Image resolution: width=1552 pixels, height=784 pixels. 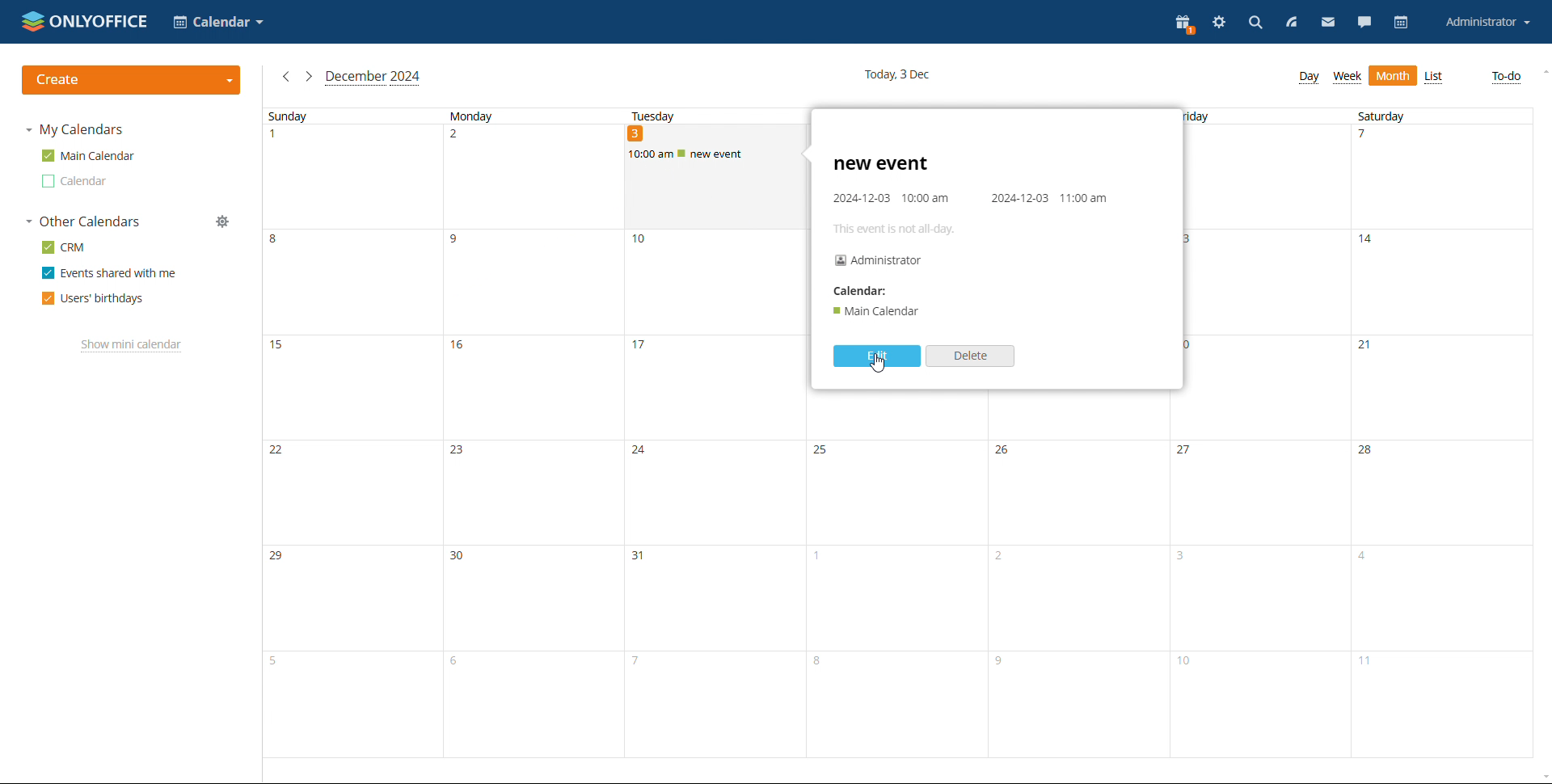 I want to click on 28, so click(x=1444, y=491).